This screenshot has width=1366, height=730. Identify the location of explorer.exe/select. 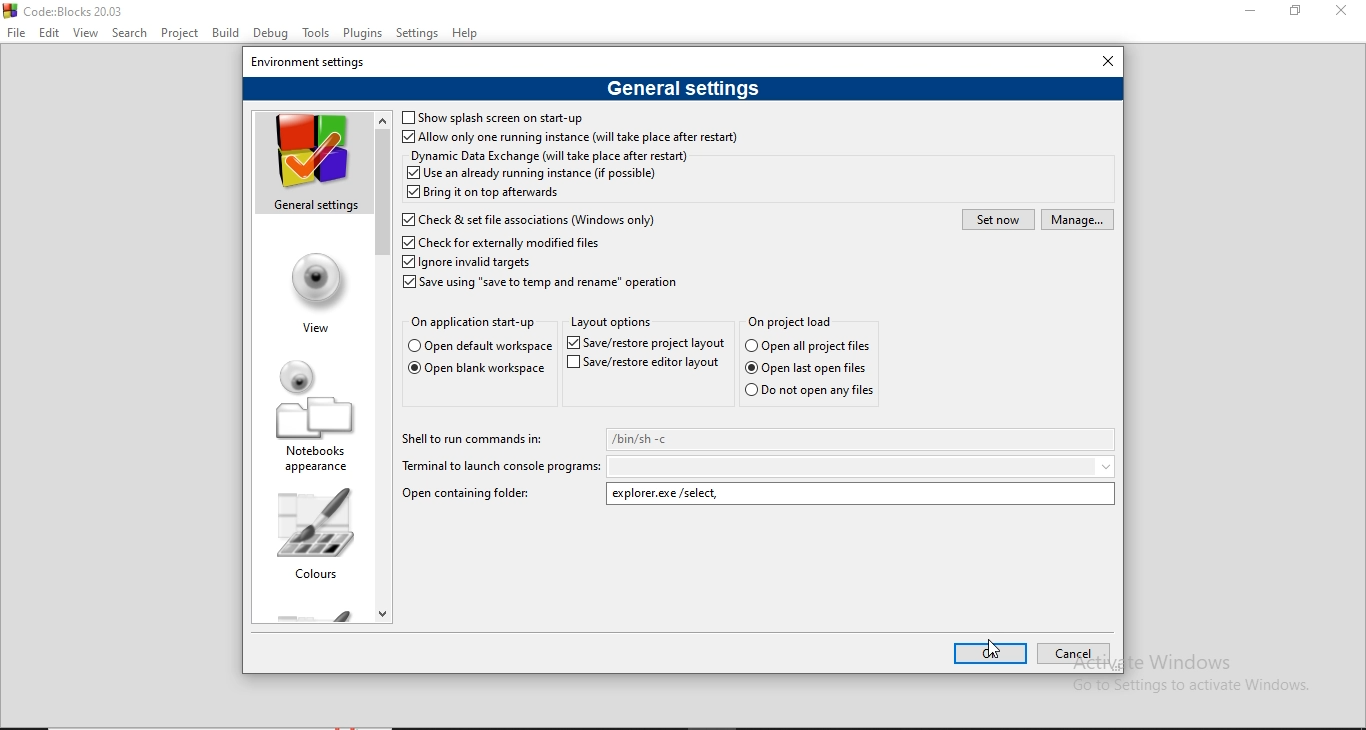
(863, 493).